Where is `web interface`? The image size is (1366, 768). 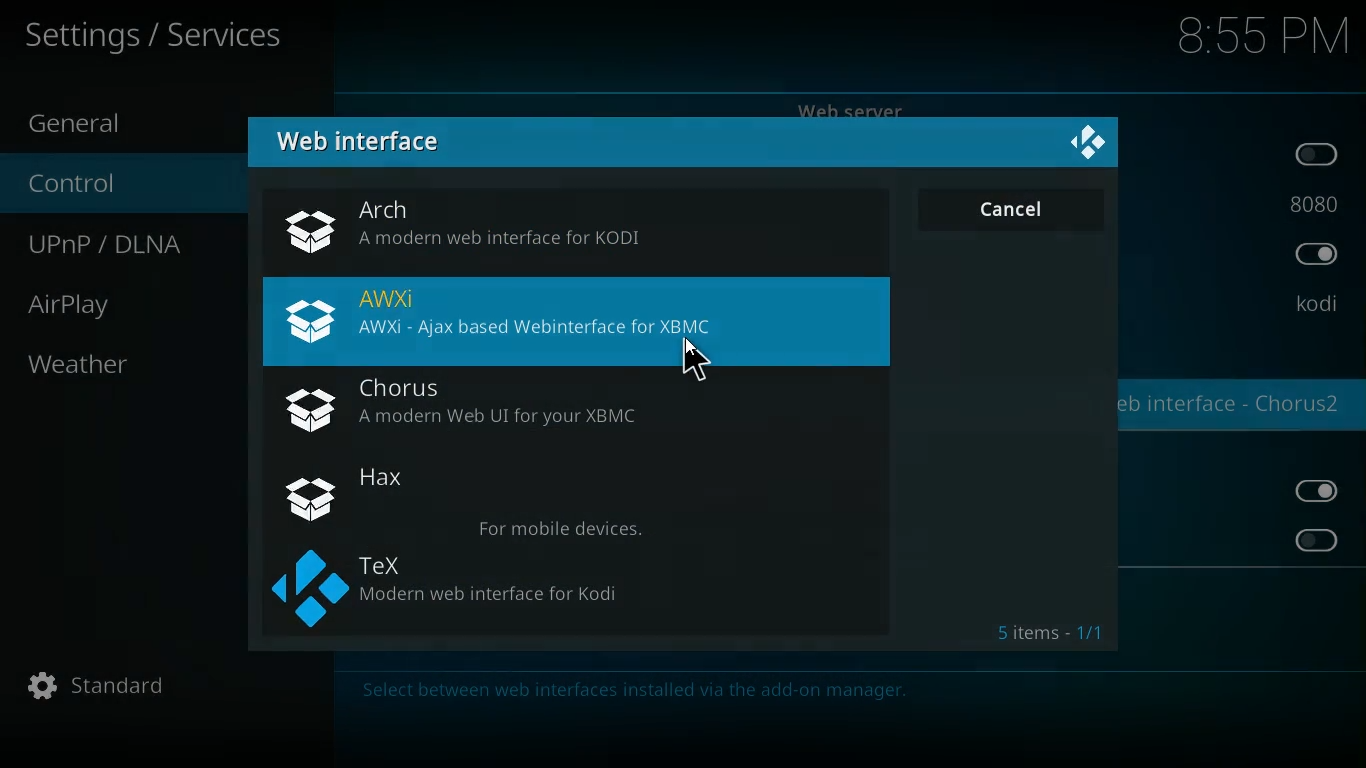
web interface is located at coordinates (373, 142).